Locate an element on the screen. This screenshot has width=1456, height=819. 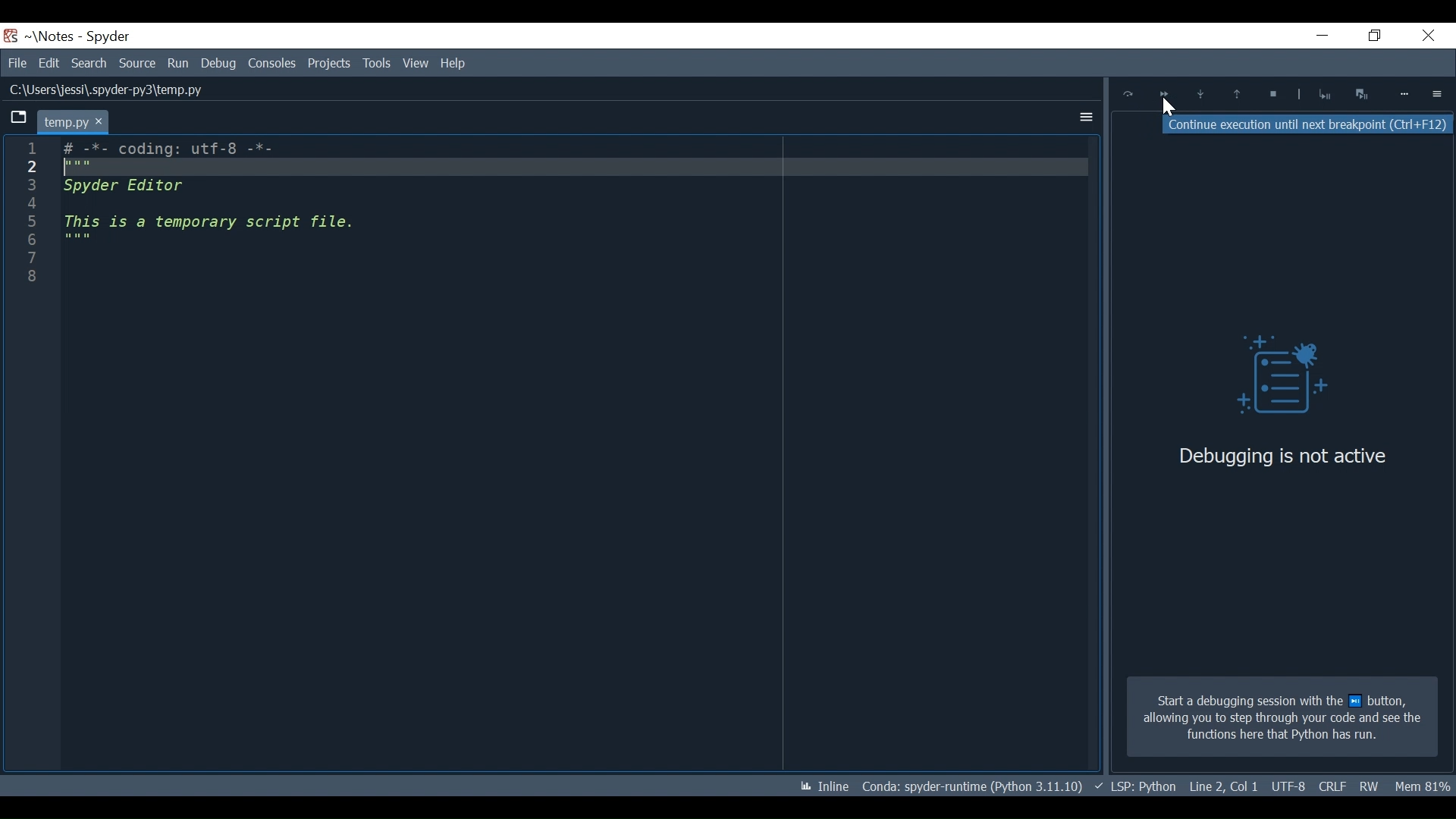
File EQL Status is located at coordinates (1224, 786).